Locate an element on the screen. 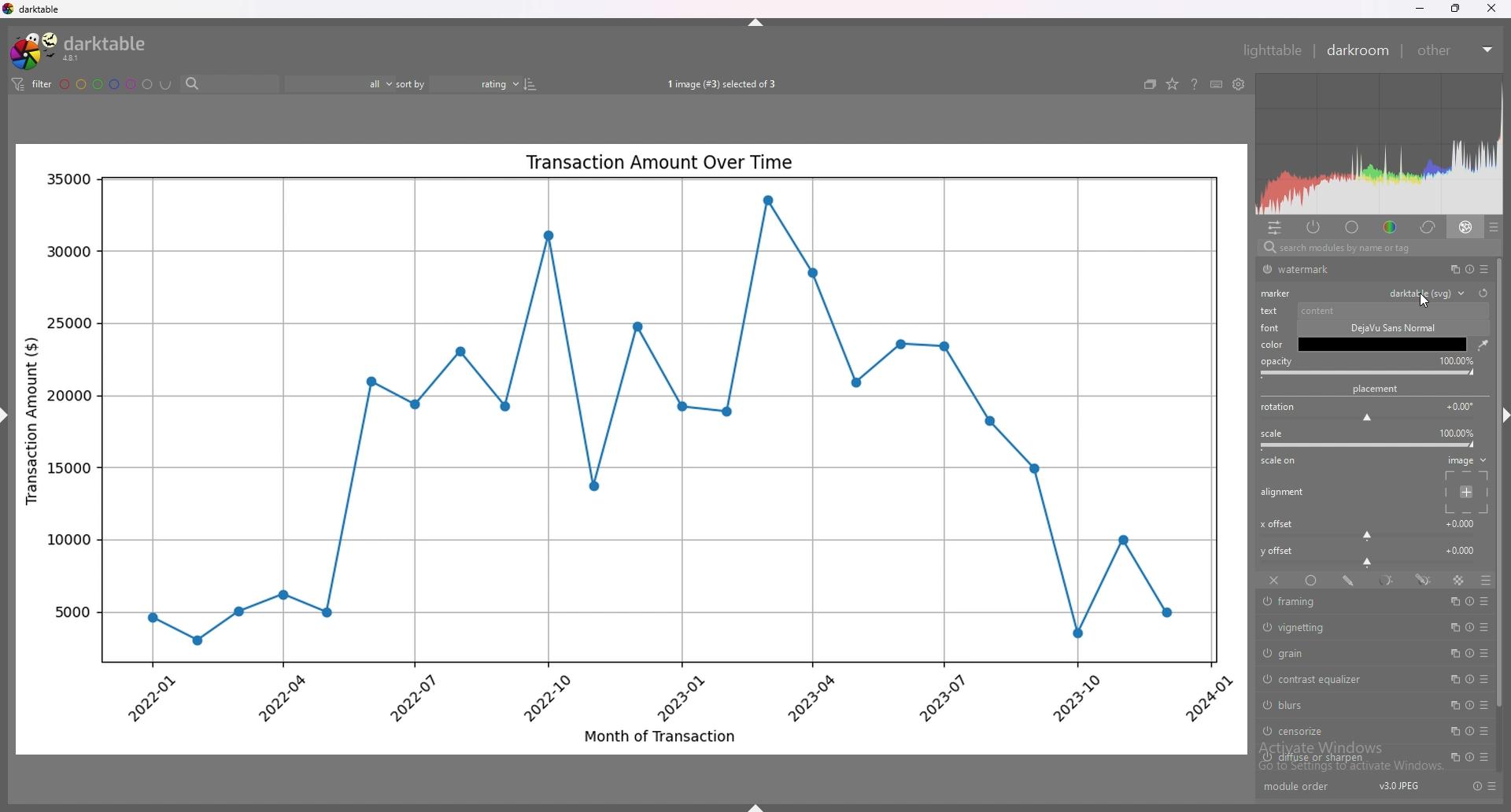 Image resolution: width=1511 pixels, height=812 pixels. reset is located at coordinates (1469, 706).